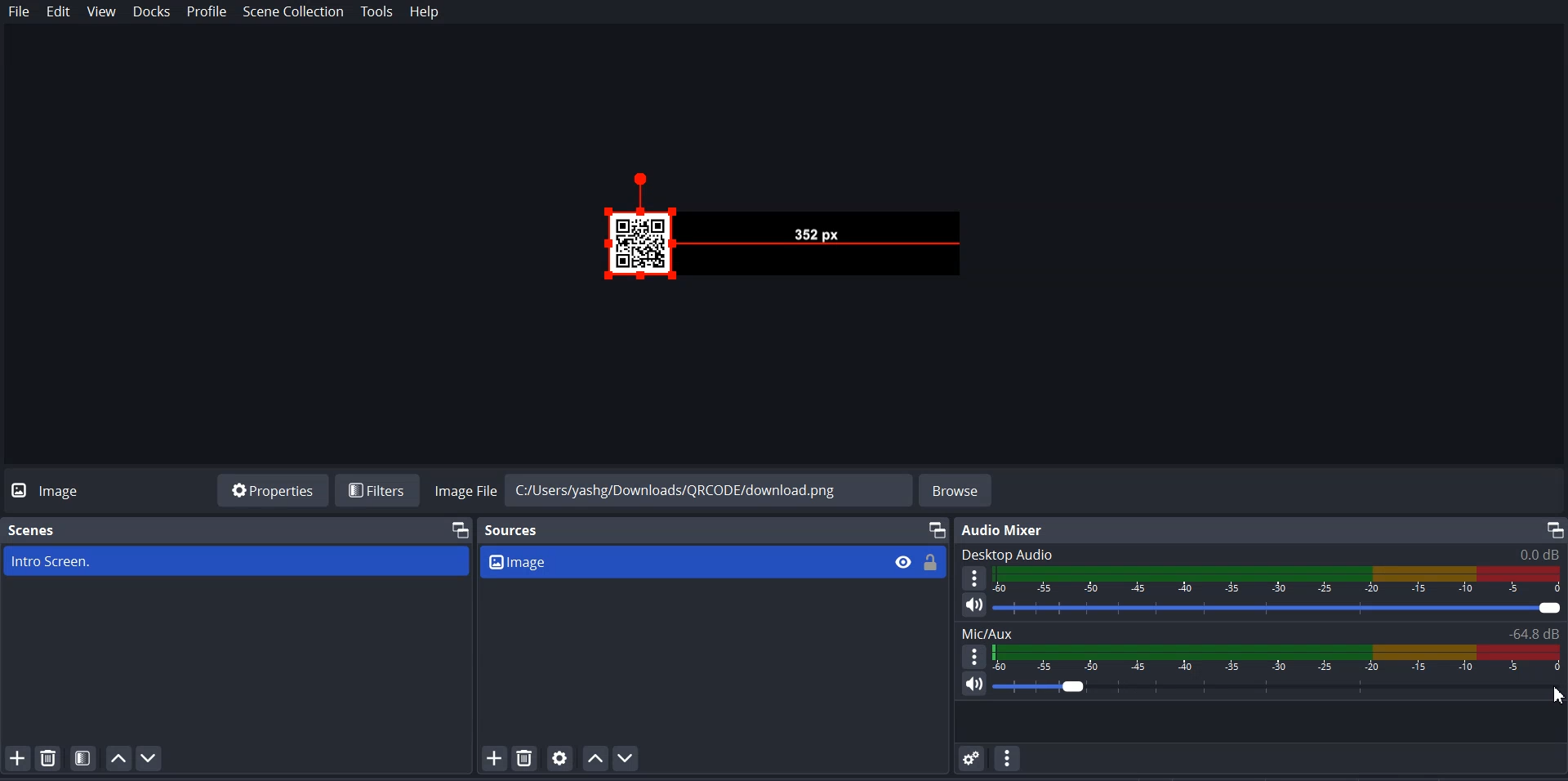  I want to click on Maximize, so click(937, 529).